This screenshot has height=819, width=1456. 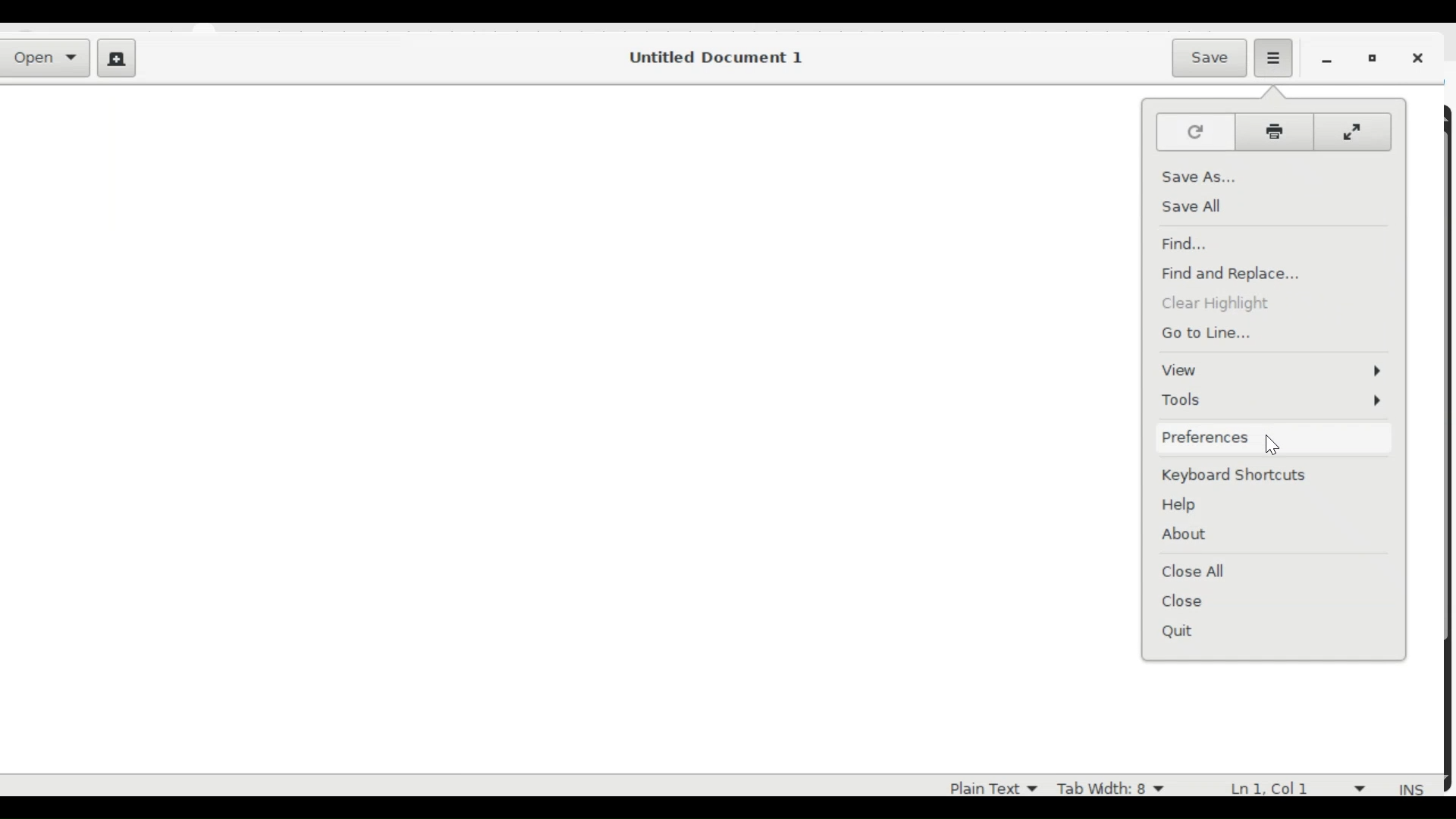 I want to click on cursor, so click(x=1279, y=444).